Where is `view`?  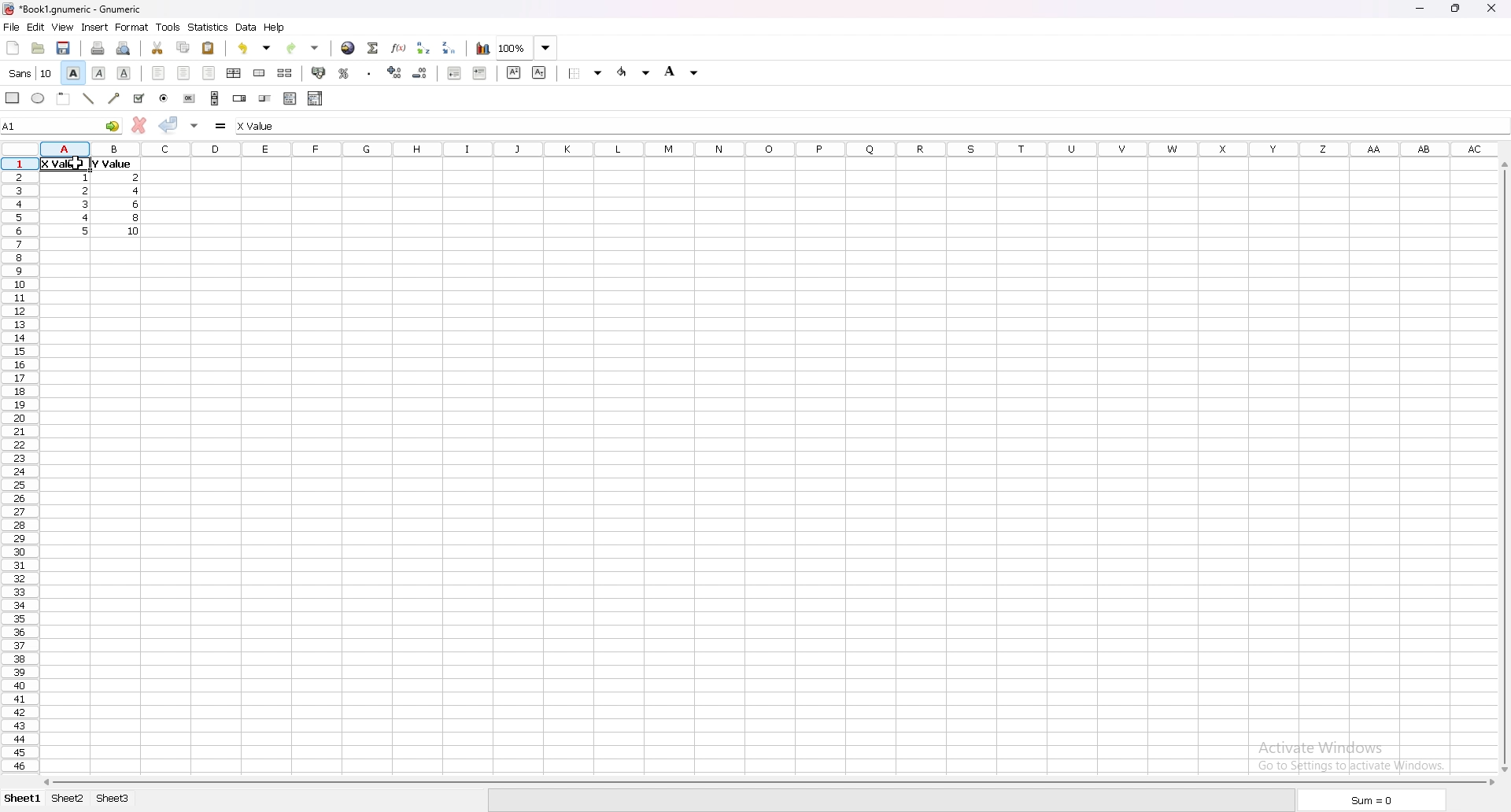
view is located at coordinates (62, 28).